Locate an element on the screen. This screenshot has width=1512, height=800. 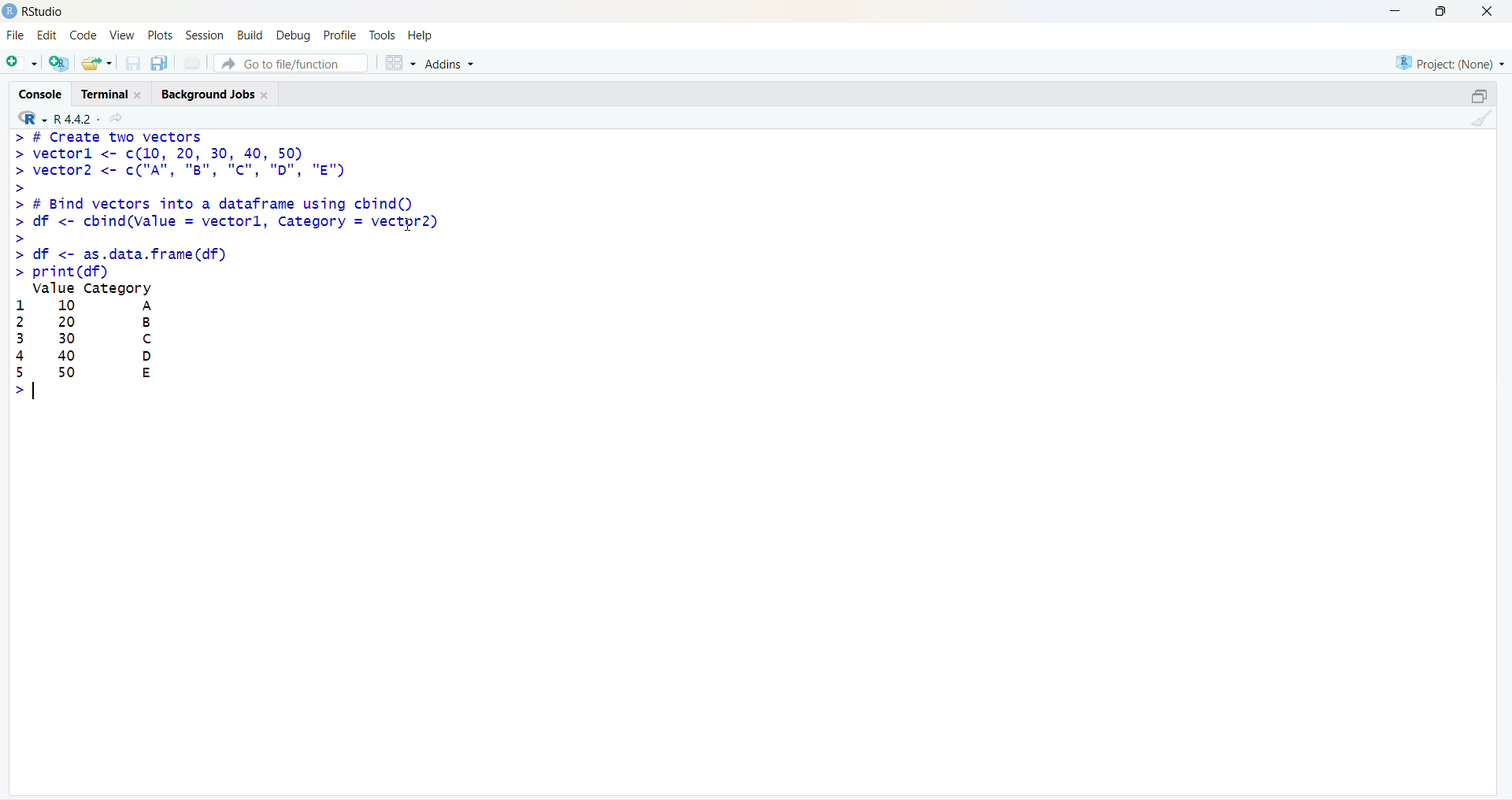
Help is located at coordinates (421, 35).